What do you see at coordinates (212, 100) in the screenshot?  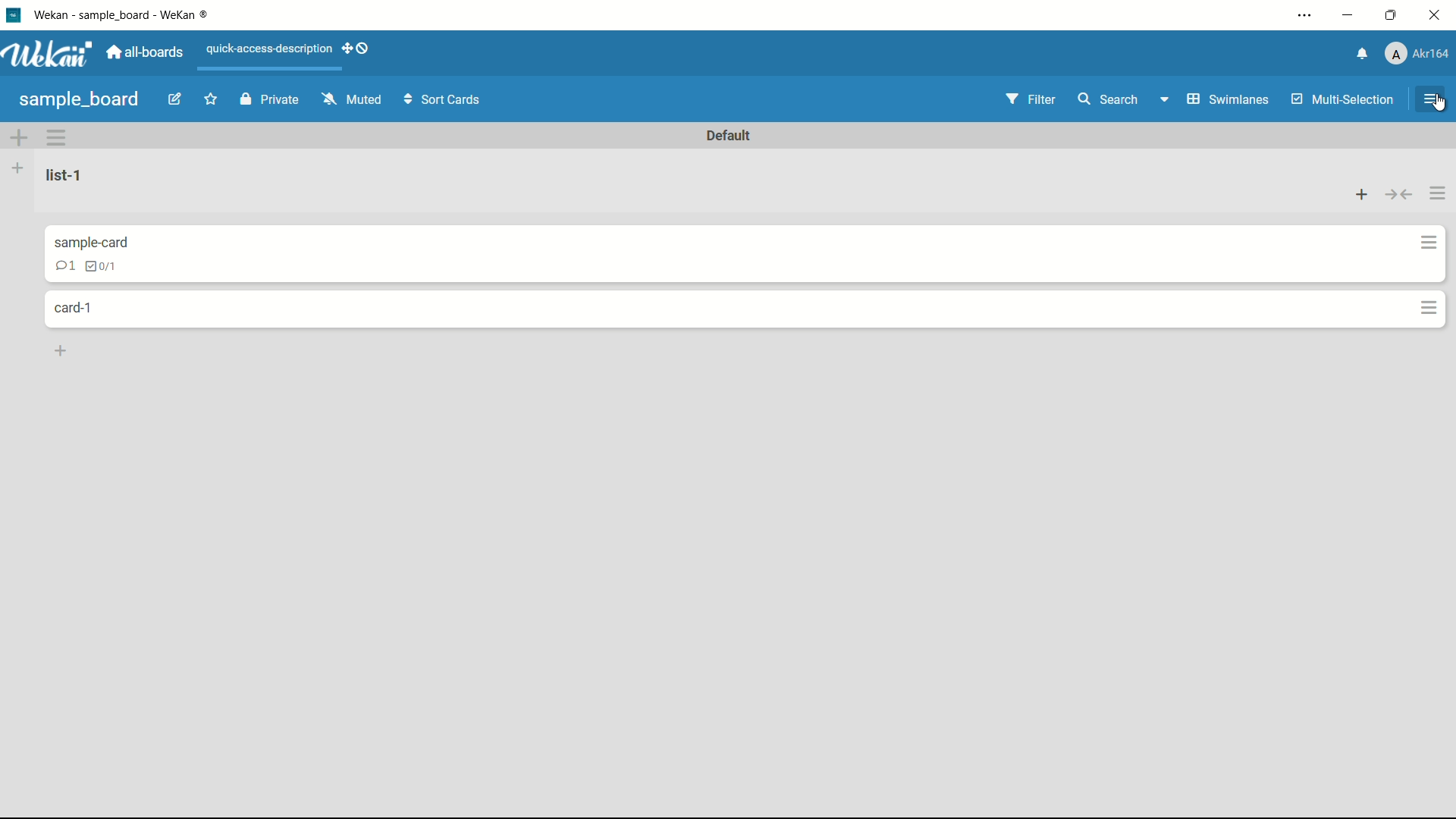 I see `star` at bounding box center [212, 100].